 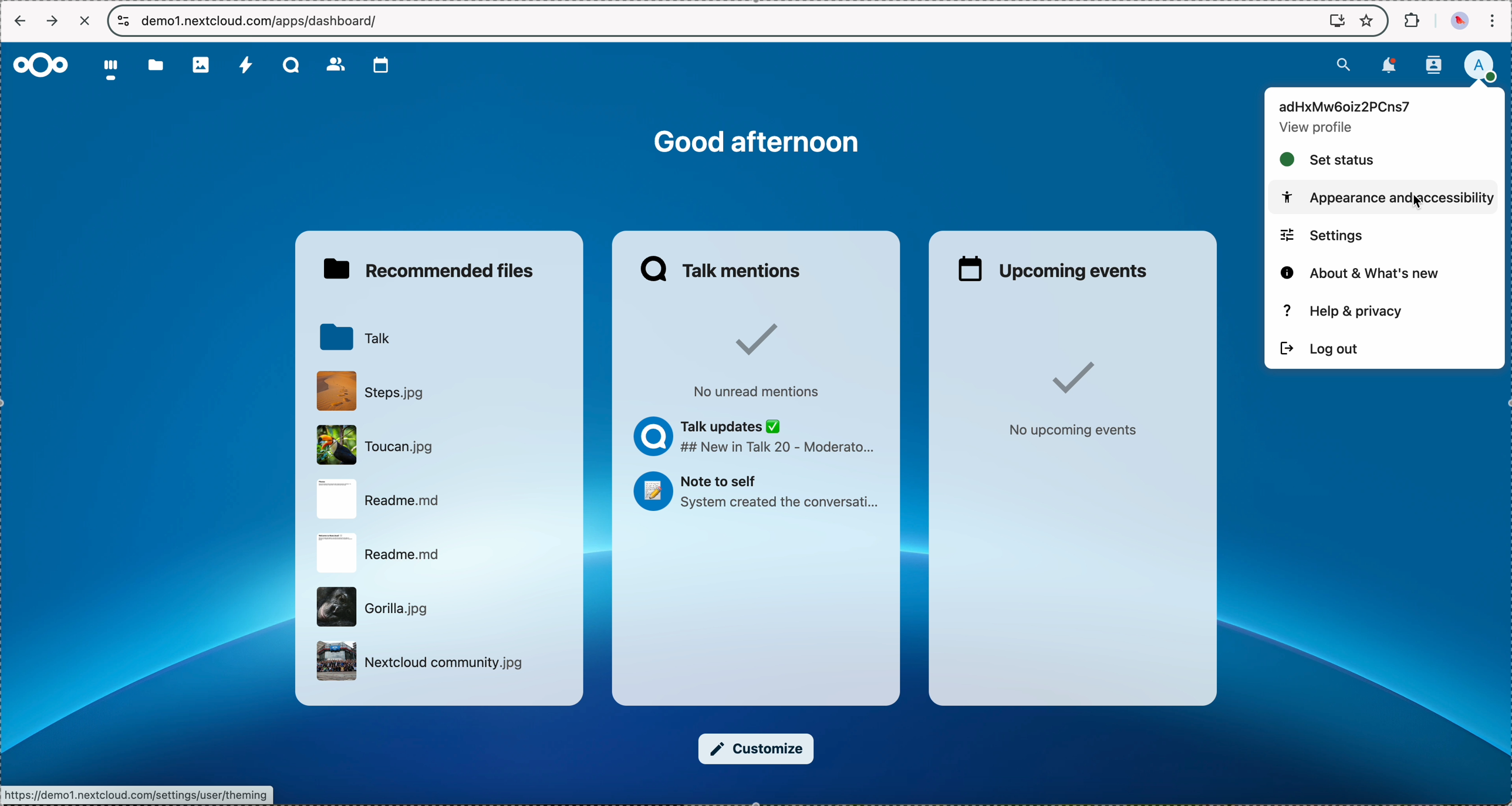 What do you see at coordinates (379, 443) in the screenshot?
I see `file` at bounding box center [379, 443].